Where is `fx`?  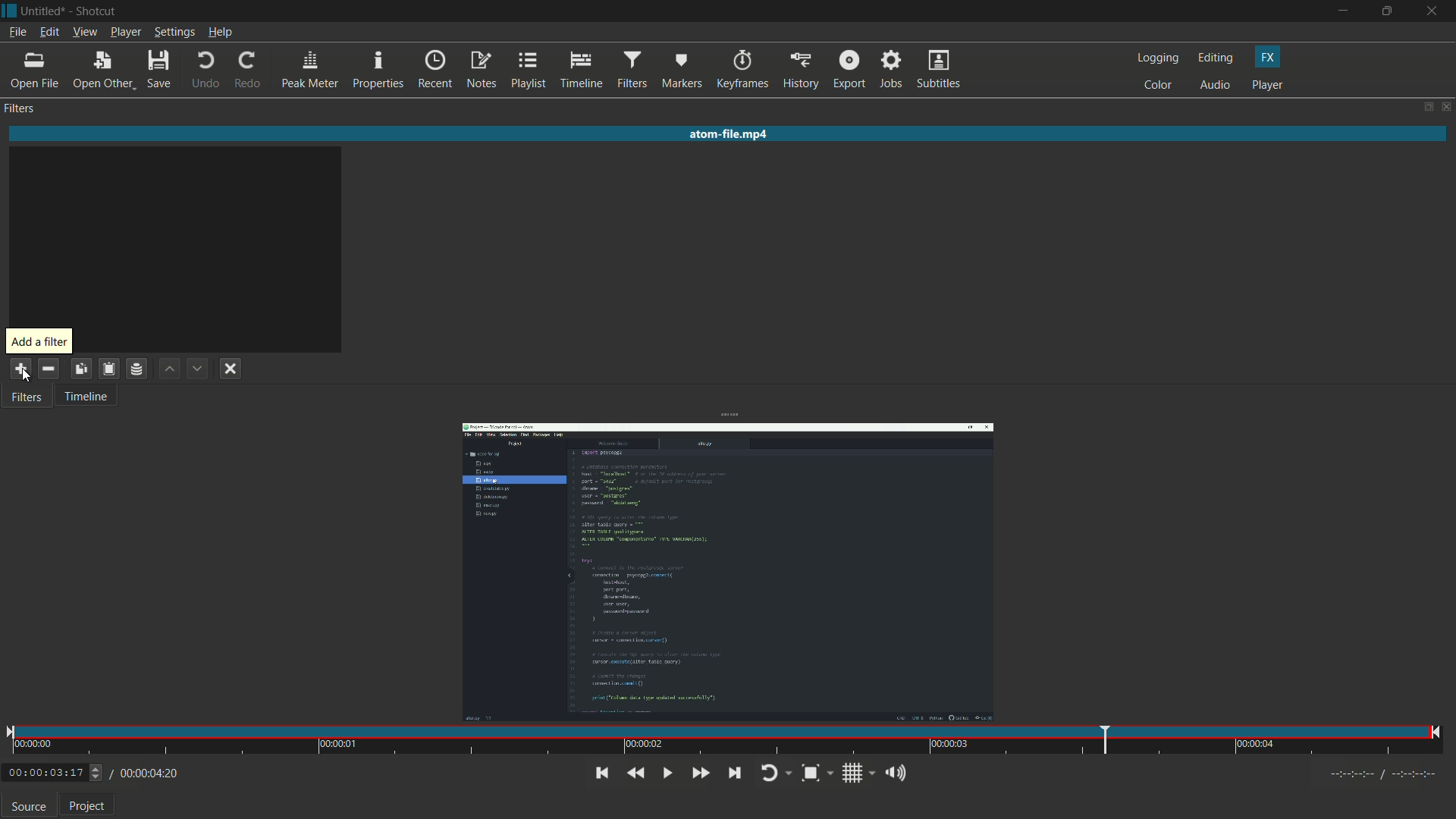 fx is located at coordinates (1267, 58).